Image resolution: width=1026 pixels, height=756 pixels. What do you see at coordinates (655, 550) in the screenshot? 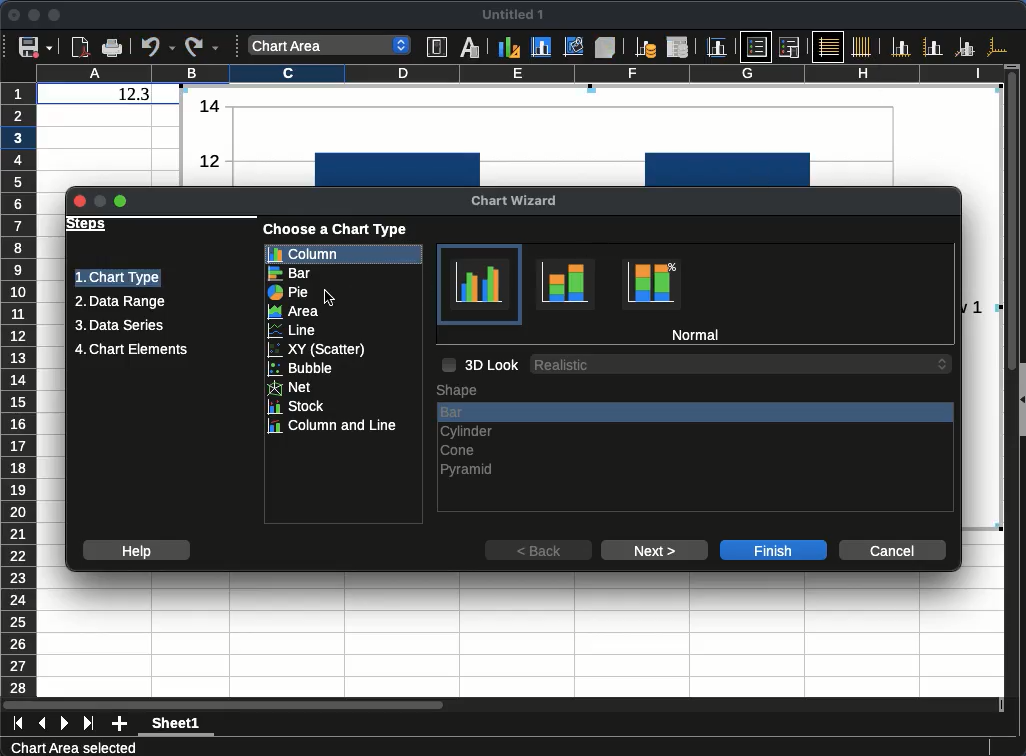
I see `next` at bounding box center [655, 550].